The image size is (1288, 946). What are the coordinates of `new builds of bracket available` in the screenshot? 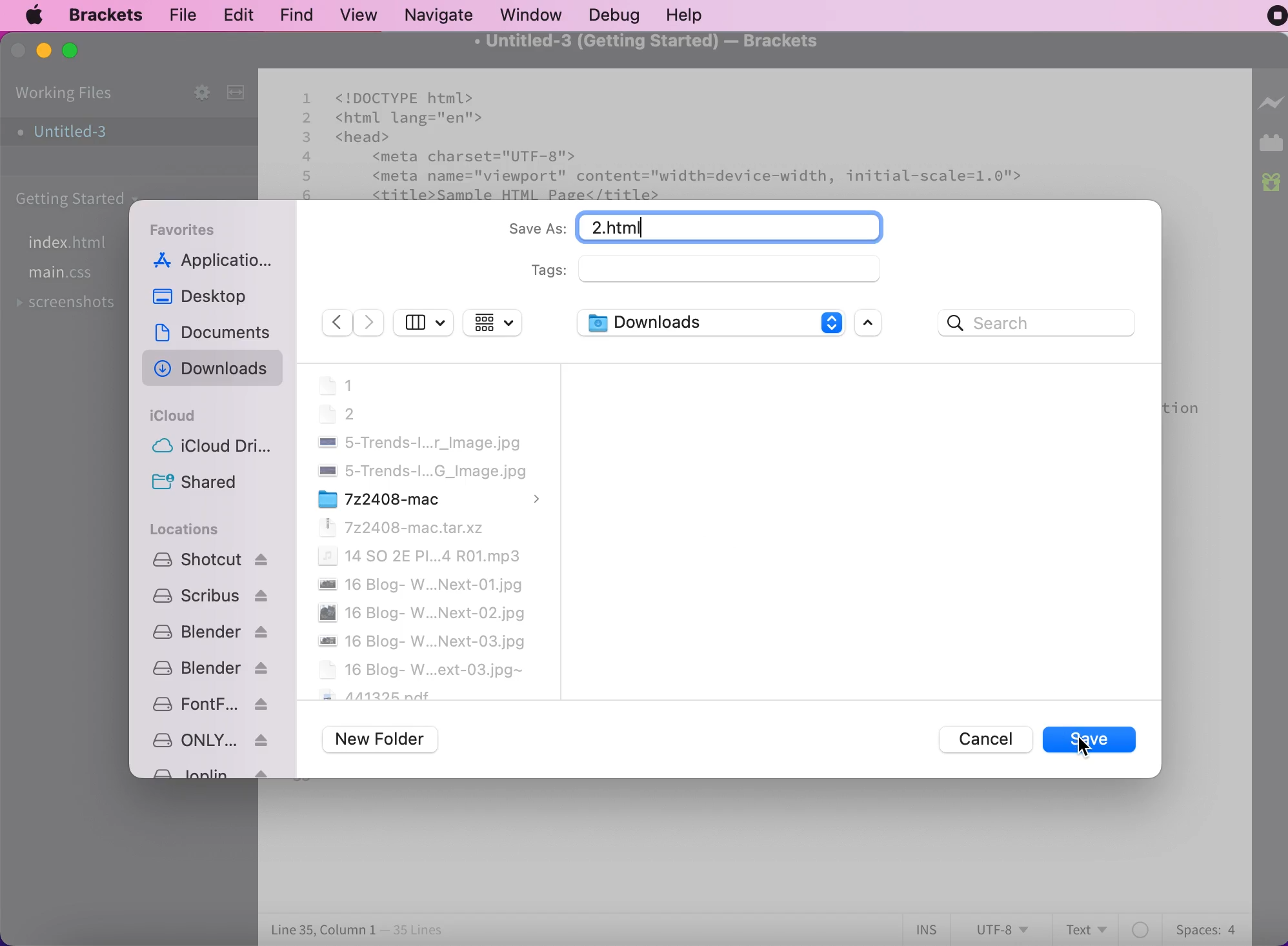 It's located at (1269, 180).